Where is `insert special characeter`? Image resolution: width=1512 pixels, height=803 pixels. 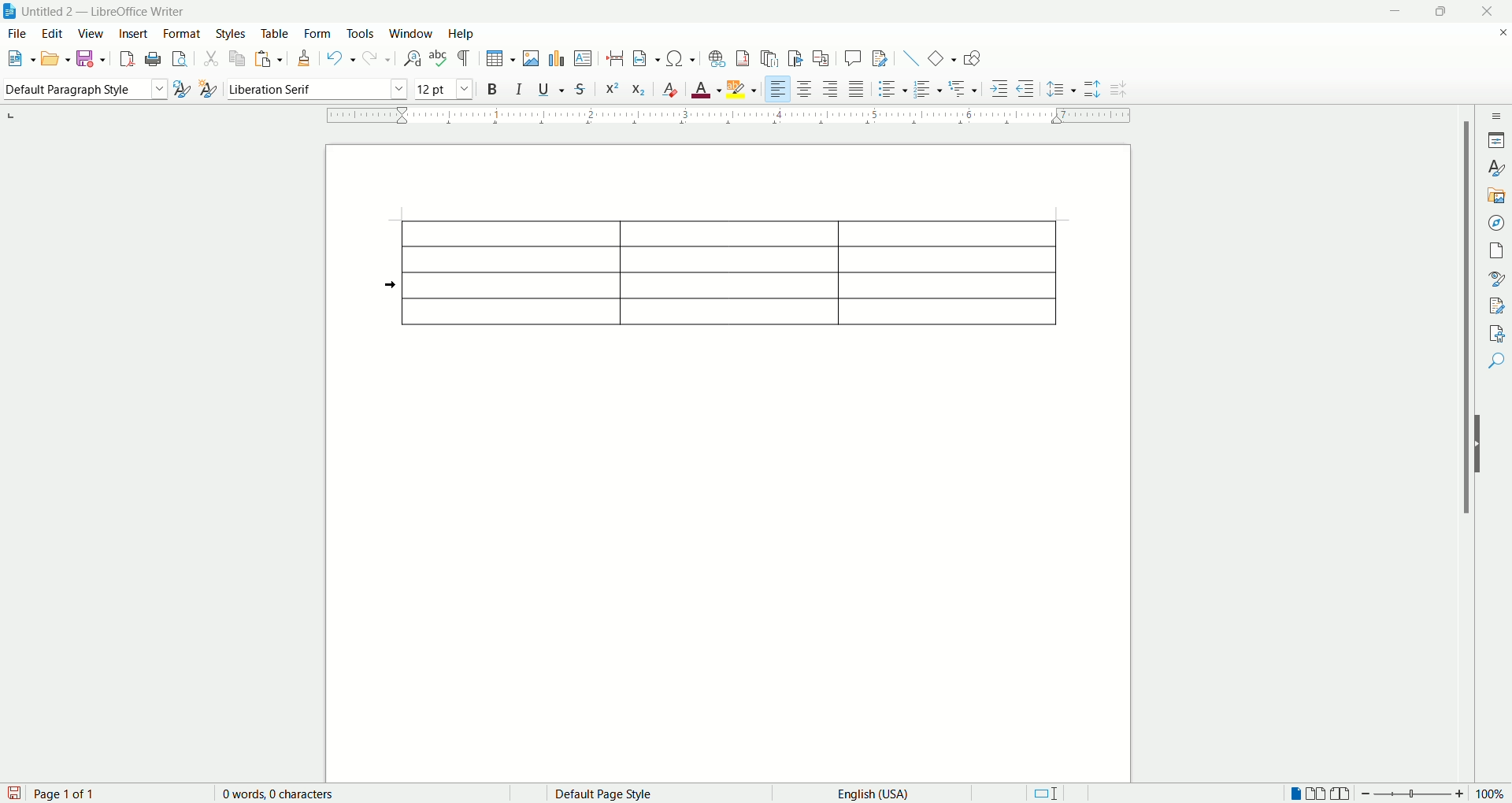
insert special characeter is located at coordinates (680, 57).